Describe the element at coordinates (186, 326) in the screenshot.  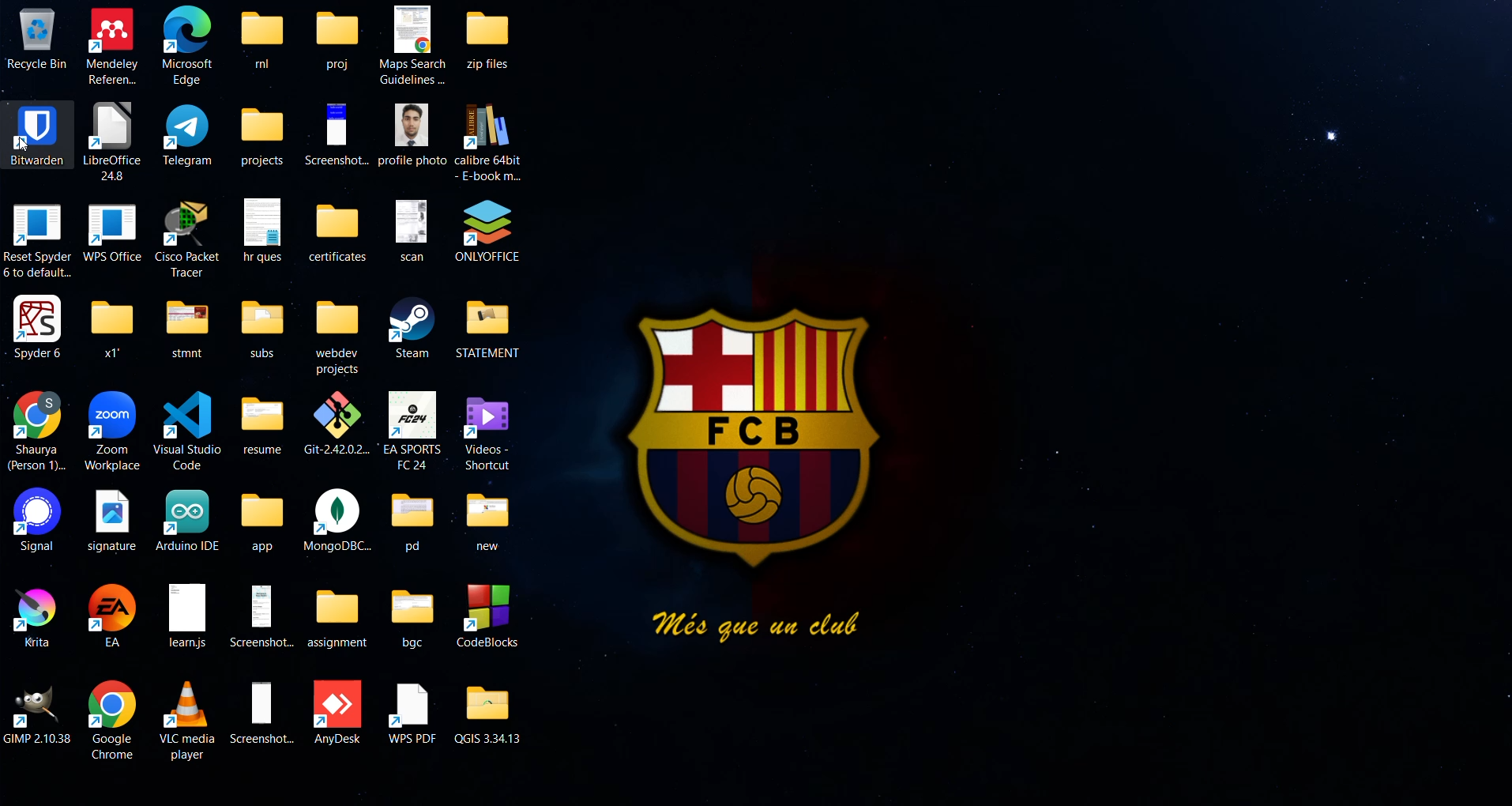
I see `stmnt` at that location.